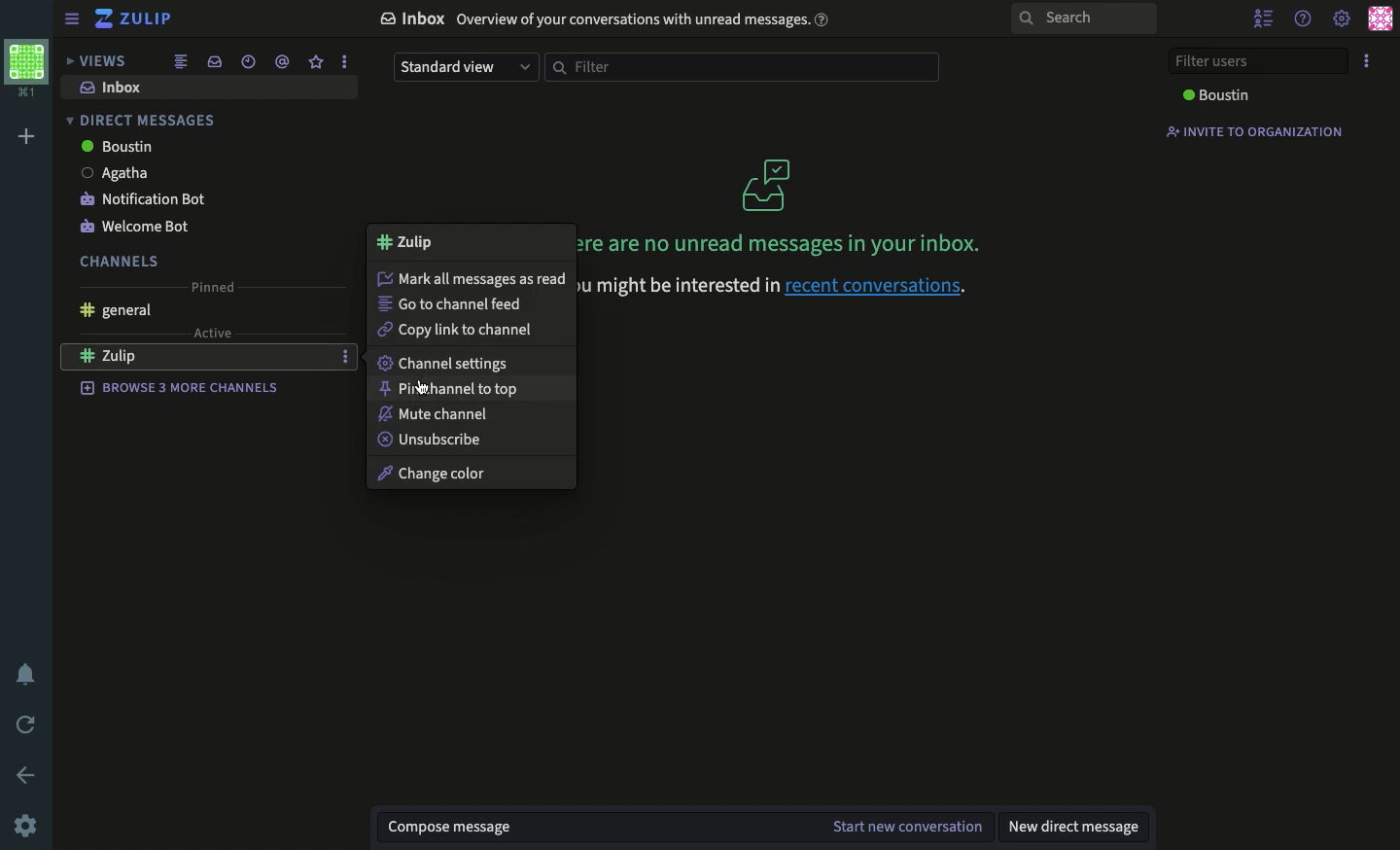  I want to click on mention, so click(282, 60).